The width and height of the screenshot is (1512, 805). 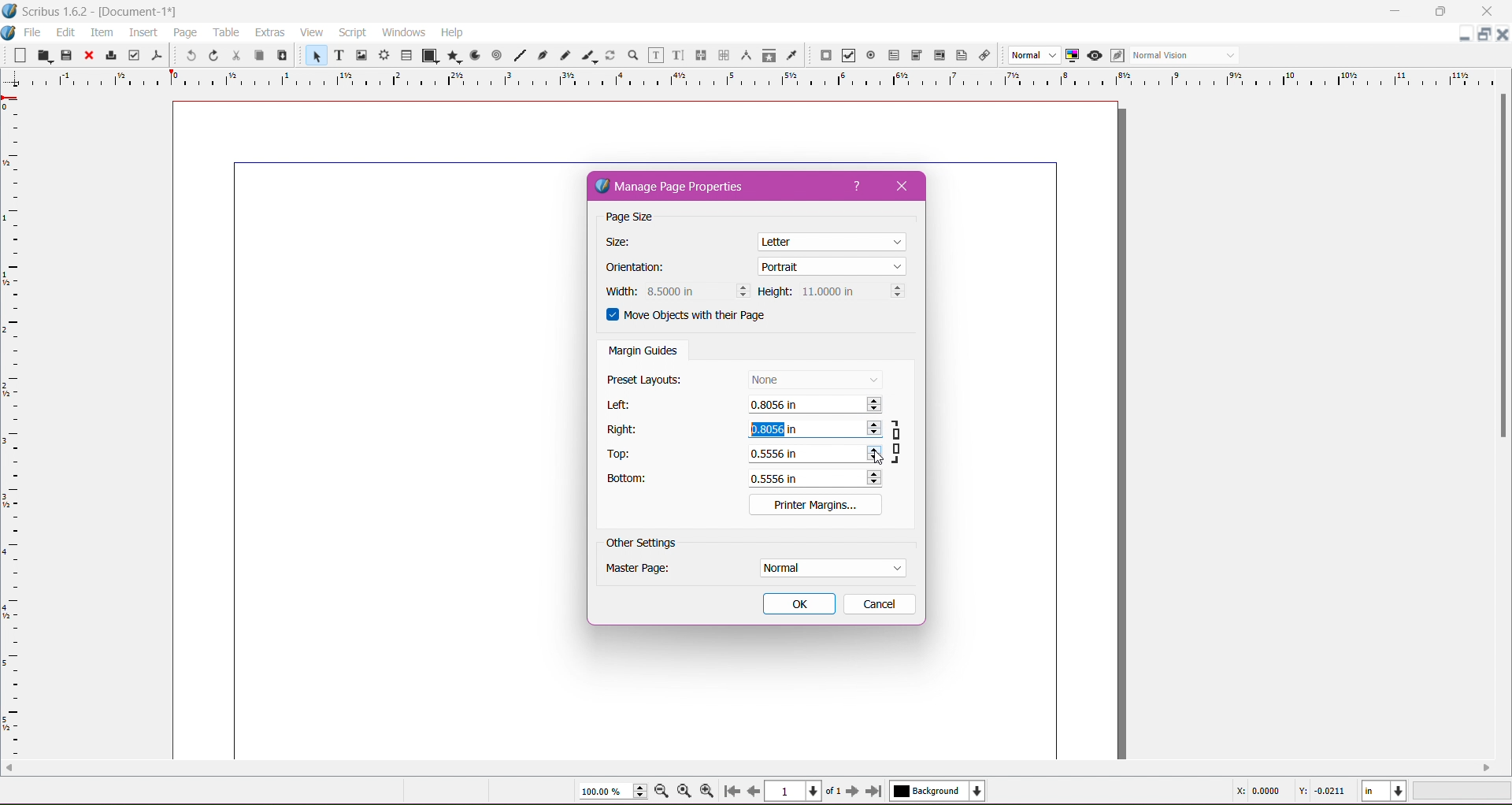 I want to click on View, so click(x=311, y=32).